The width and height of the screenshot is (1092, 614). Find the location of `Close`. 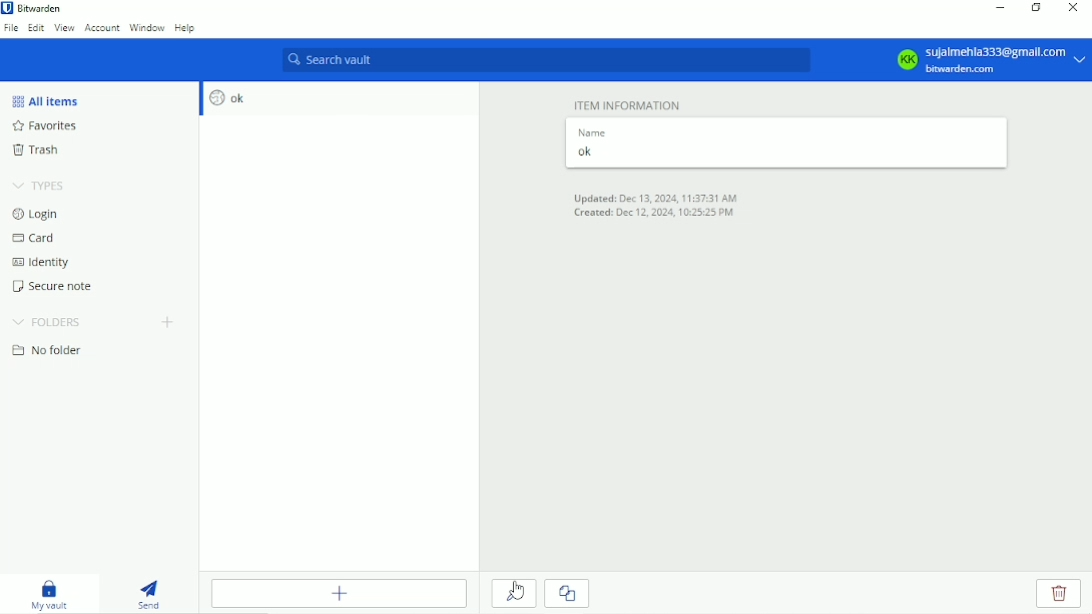

Close is located at coordinates (1073, 8).